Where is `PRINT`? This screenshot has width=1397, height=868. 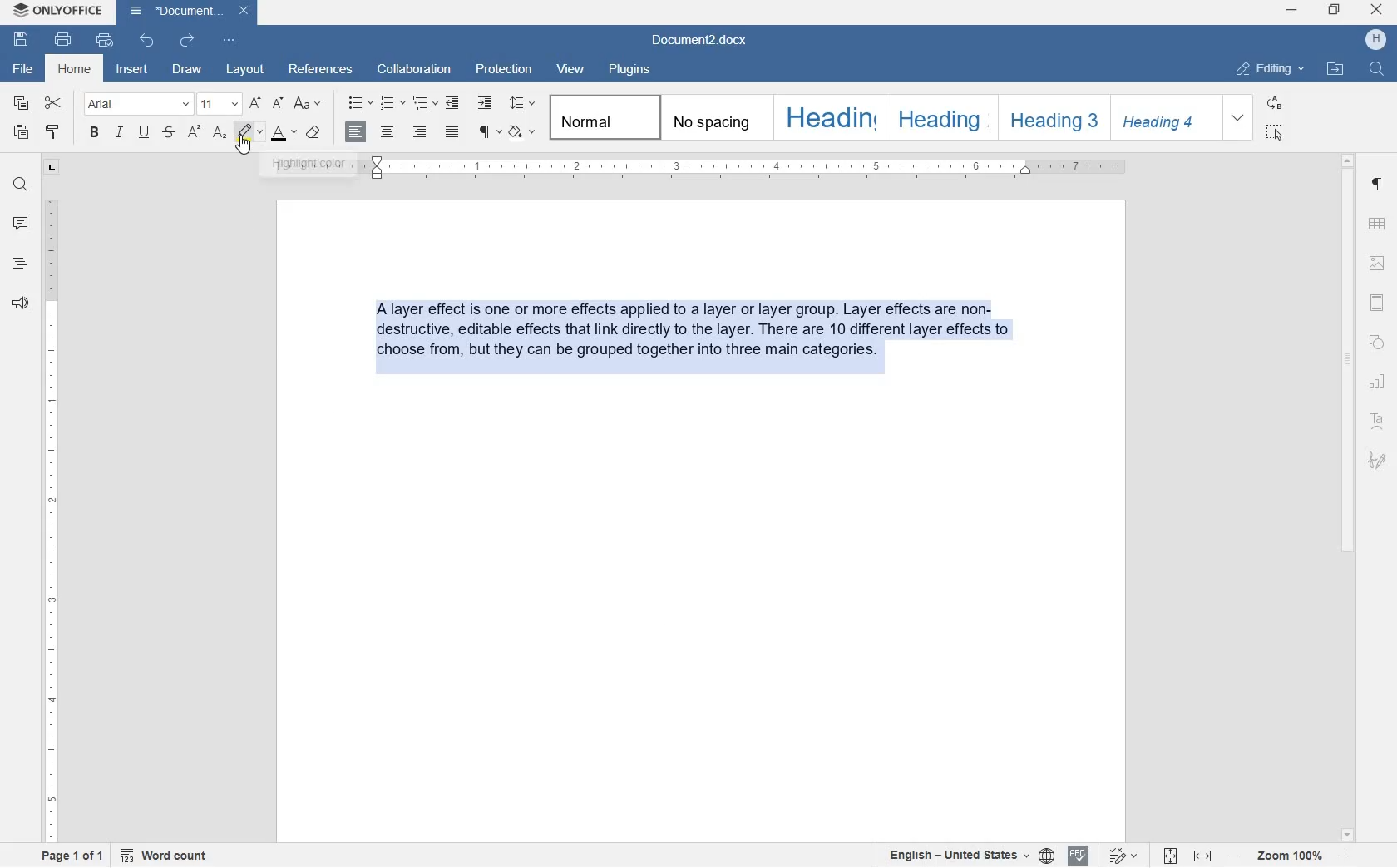
PRINT is located at coordinates (62, 40).